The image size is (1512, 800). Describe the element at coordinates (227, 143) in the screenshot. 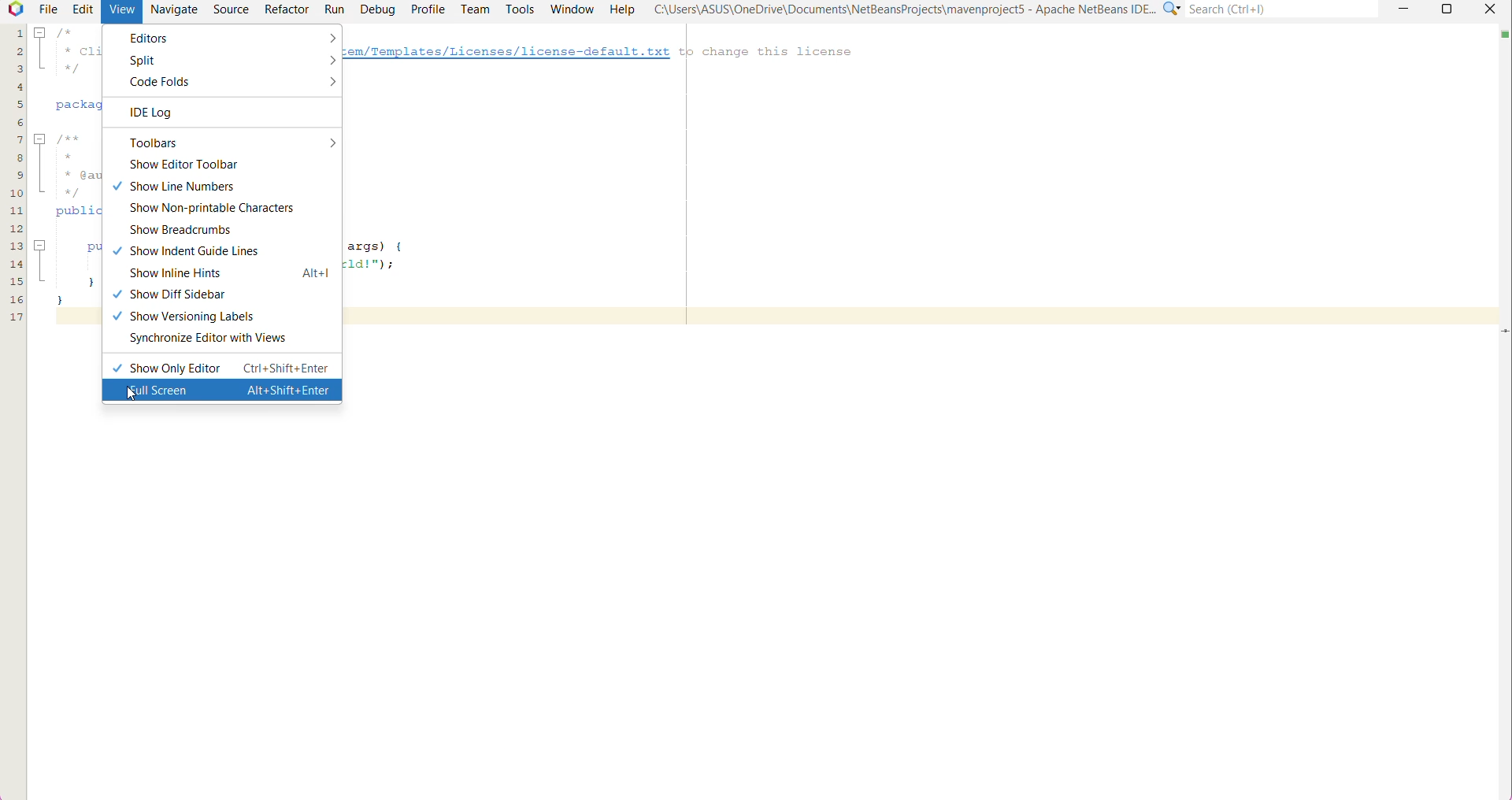

I see `Toolbars` at that location.